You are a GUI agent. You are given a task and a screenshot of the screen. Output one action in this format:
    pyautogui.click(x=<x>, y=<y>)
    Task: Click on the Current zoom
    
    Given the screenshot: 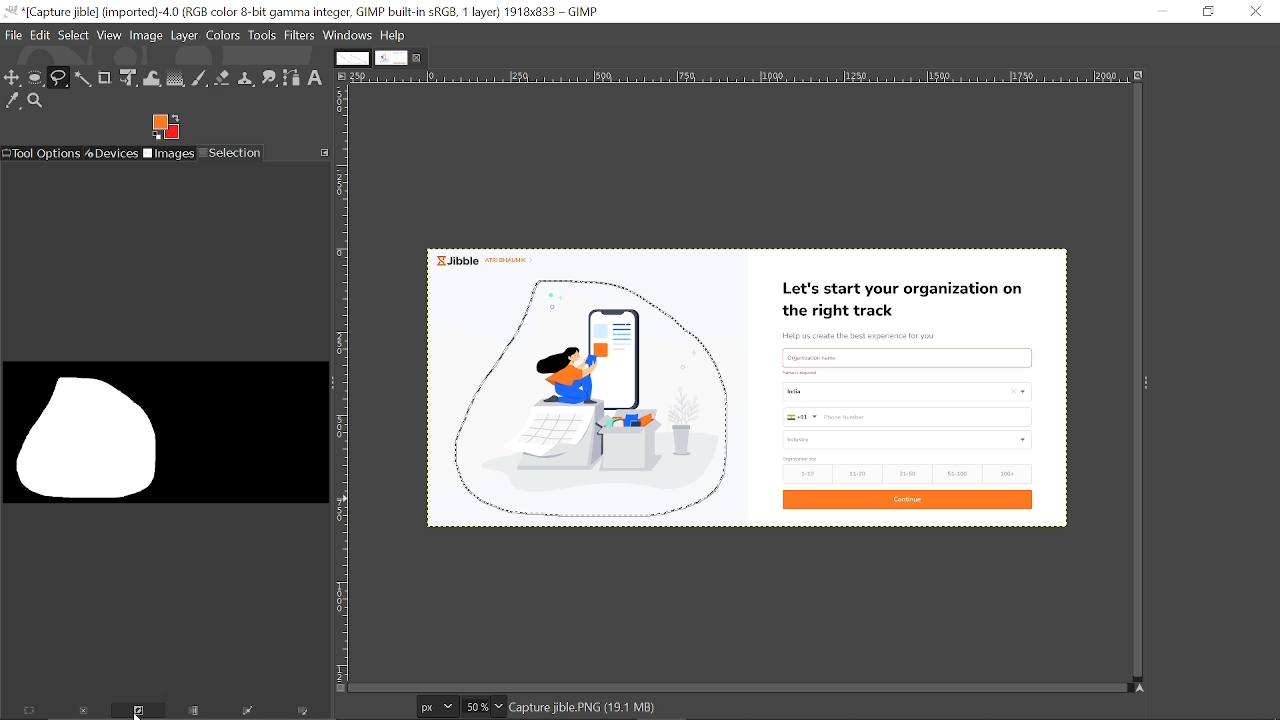 What is the action you would take?
    pyautogui.click(x=474, y=707)
    